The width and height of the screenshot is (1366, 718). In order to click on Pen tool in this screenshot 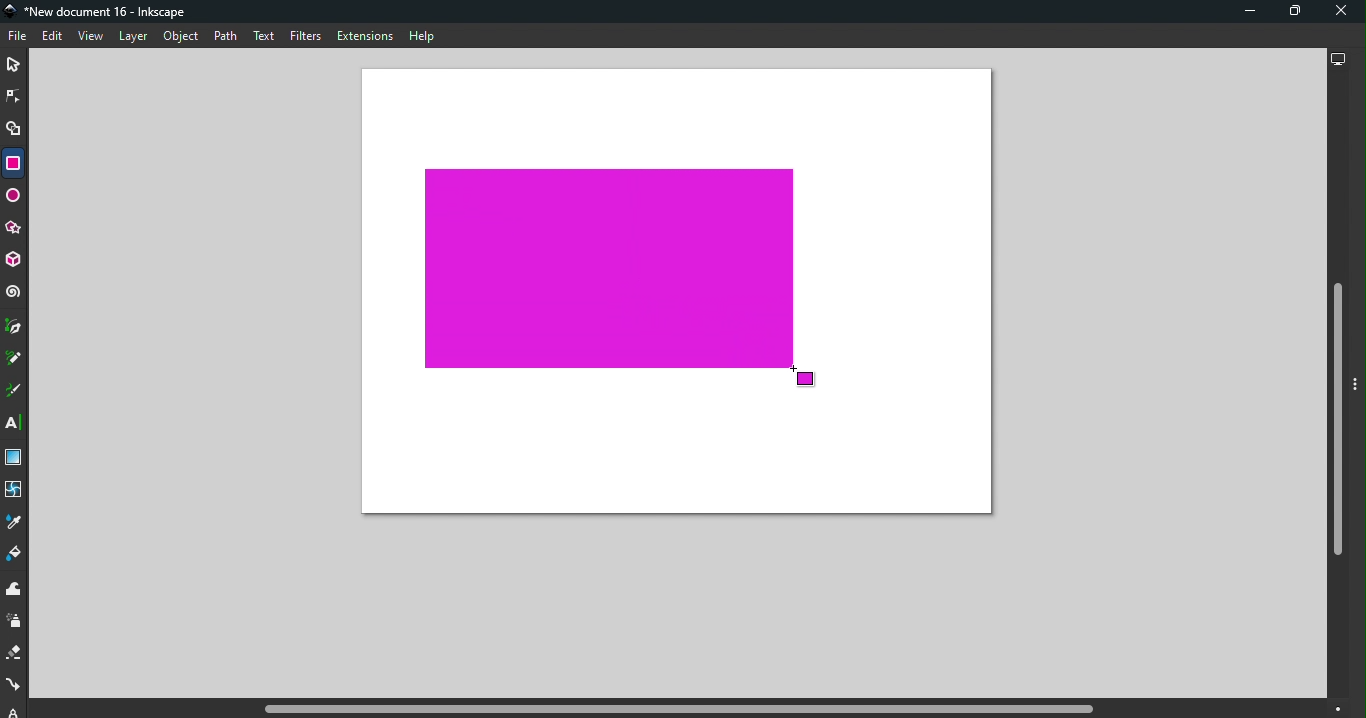, I will do `click(15, 327)`.